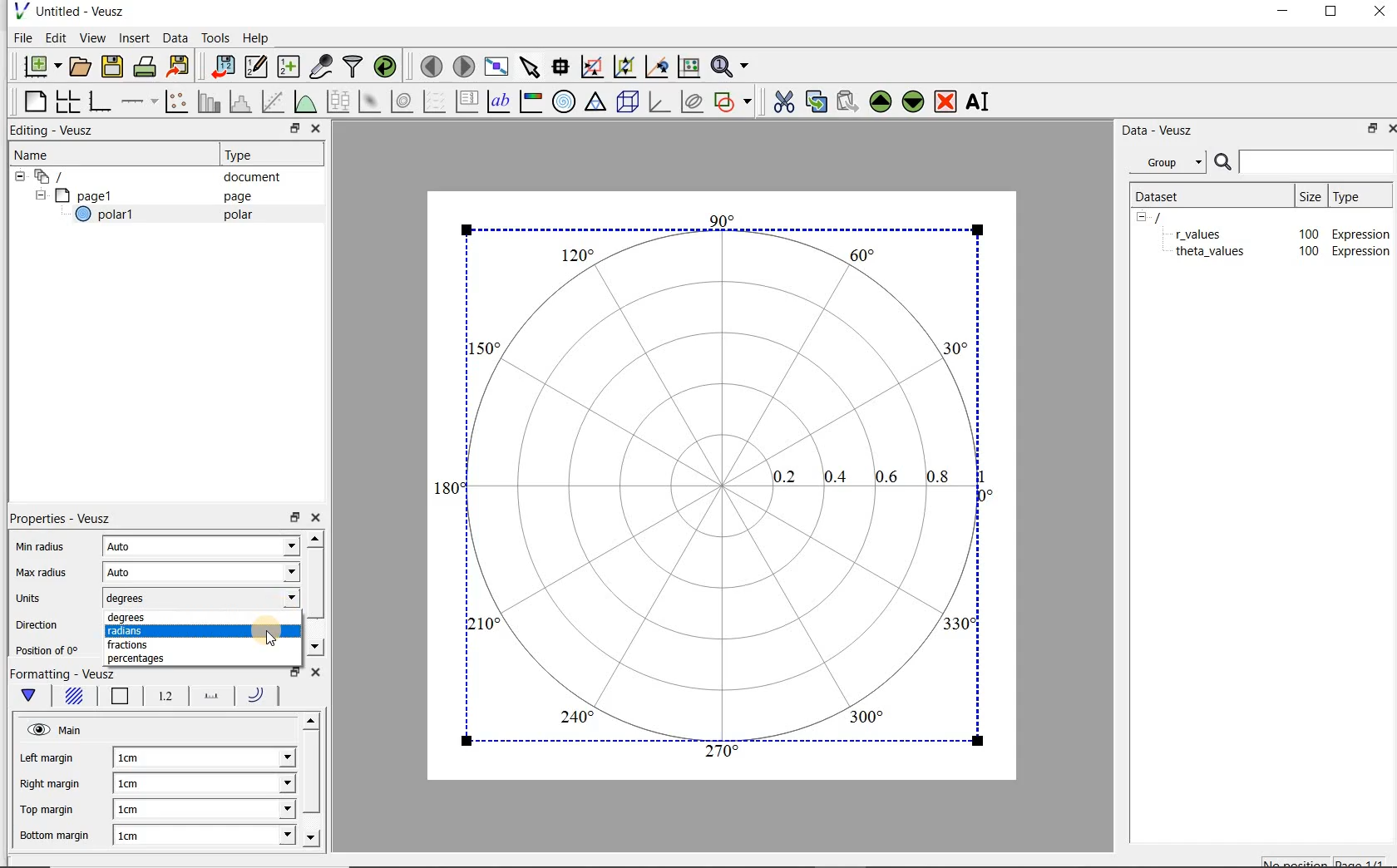  Describe the element at coordinates (239, 218) in the screenshot. I see `polar` at that location.